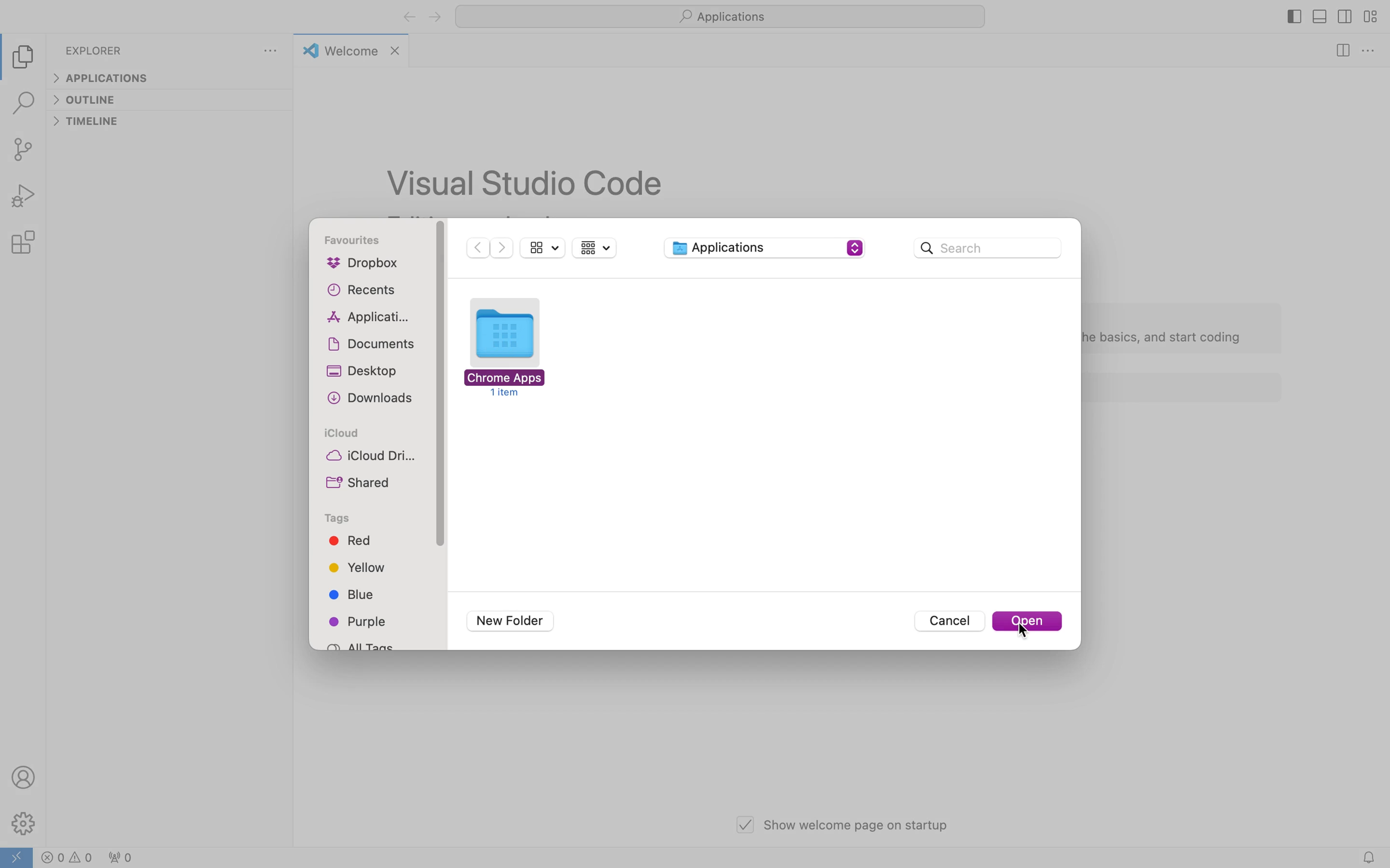 This screenshot has width=1390, height=868. What do you see at coordinates (544, 247) in the screenshot?
I see `show sidebar` at bounding box center [544, 247].